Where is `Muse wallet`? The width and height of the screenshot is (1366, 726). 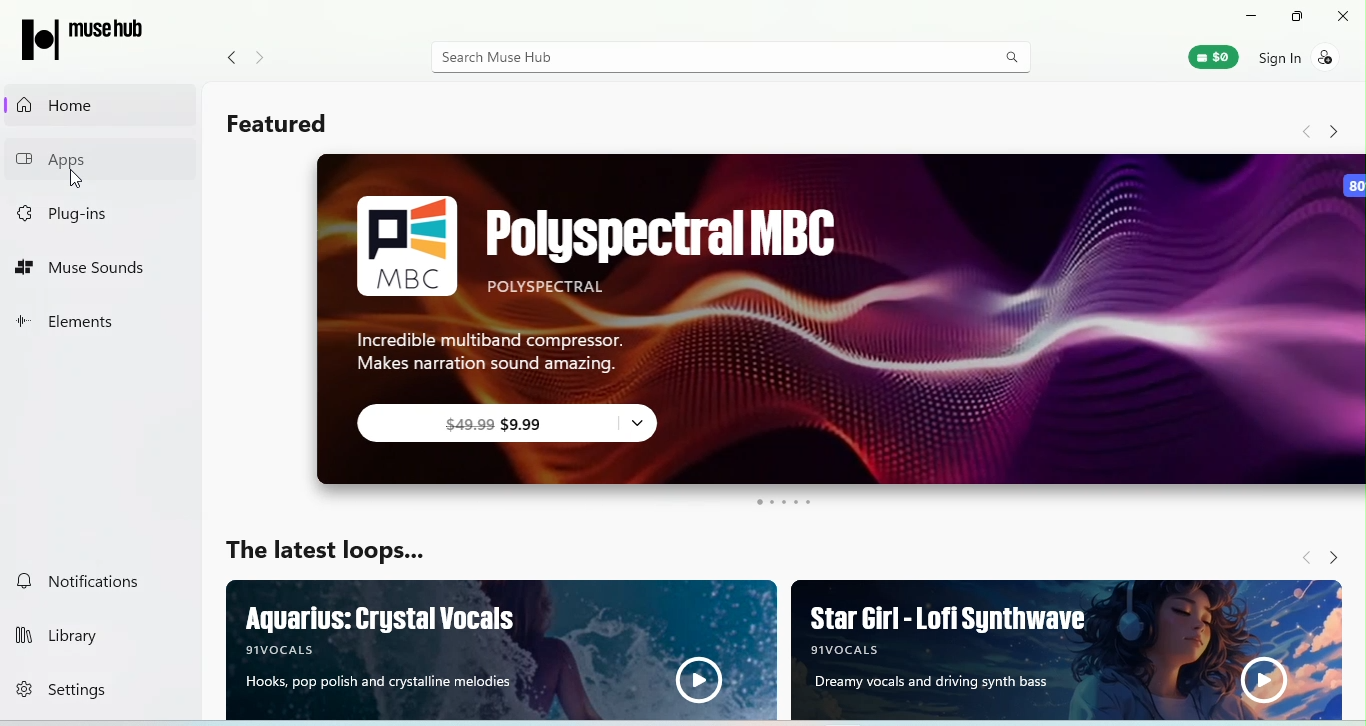 Muse wallet is located at coordinates (1218, 58).